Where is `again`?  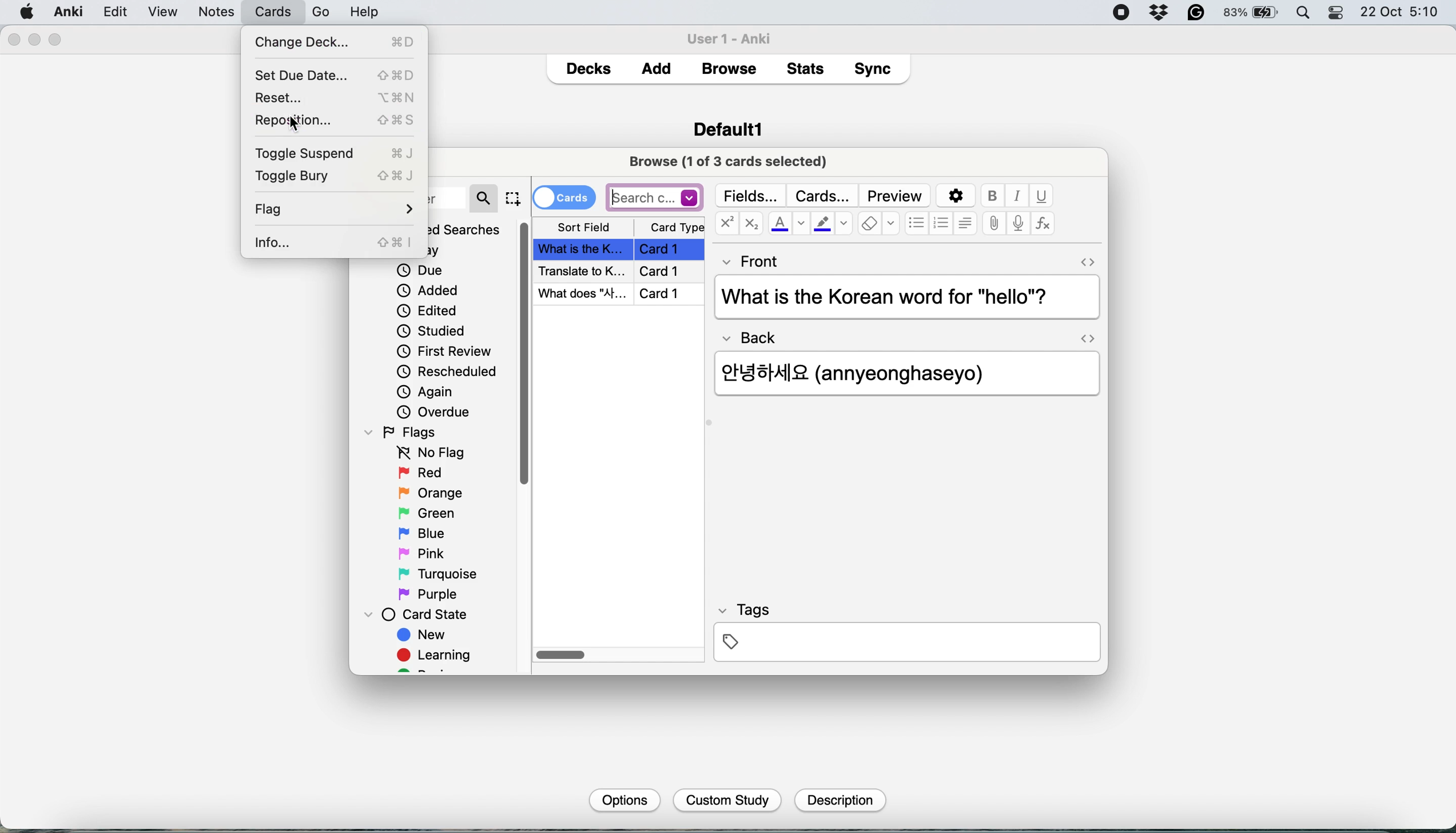 again is located at coordinates (425, 392).